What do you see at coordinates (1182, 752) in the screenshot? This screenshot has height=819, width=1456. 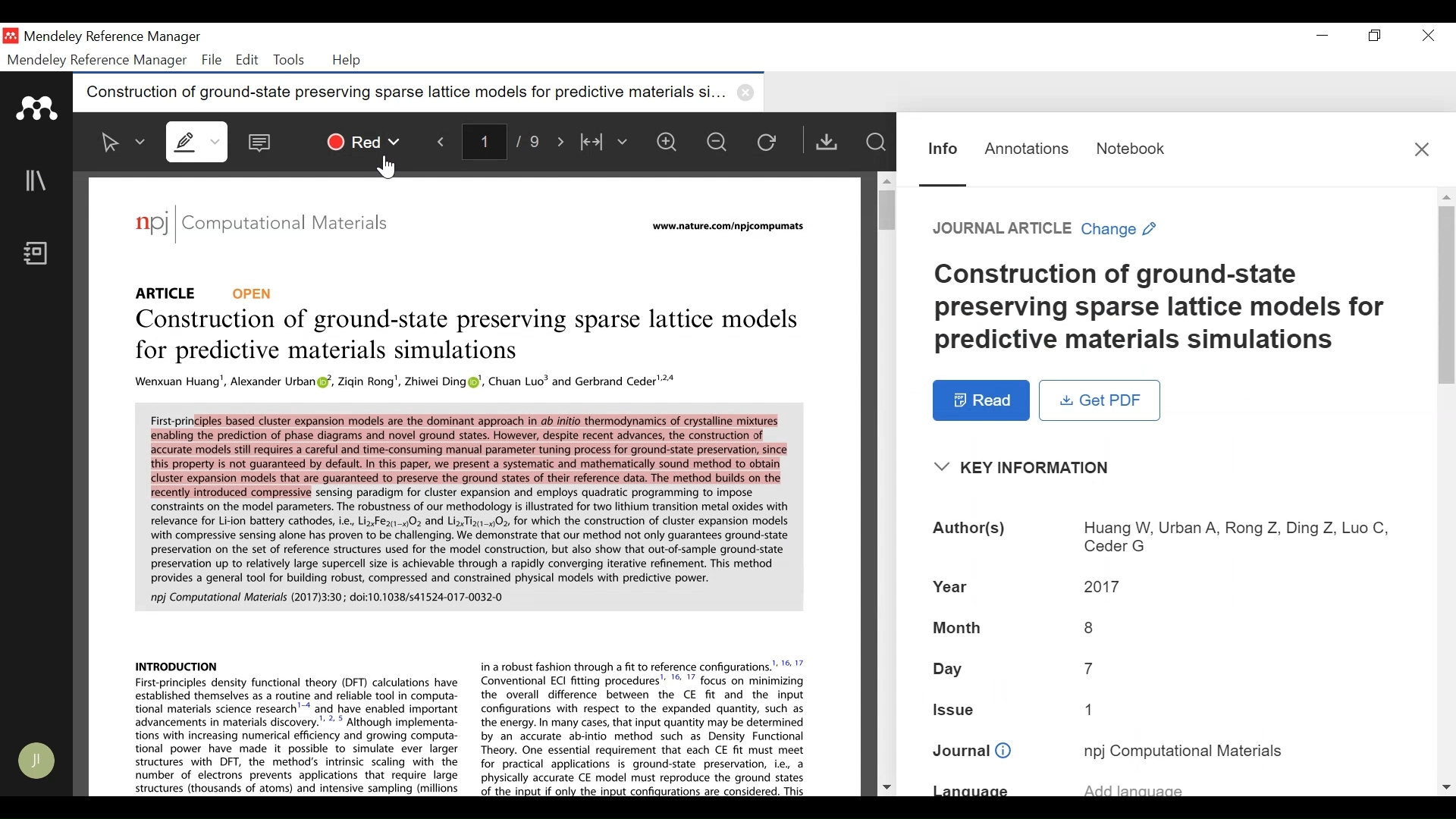 I see `npj Computational Materials` at bounding box center [1182, 752].